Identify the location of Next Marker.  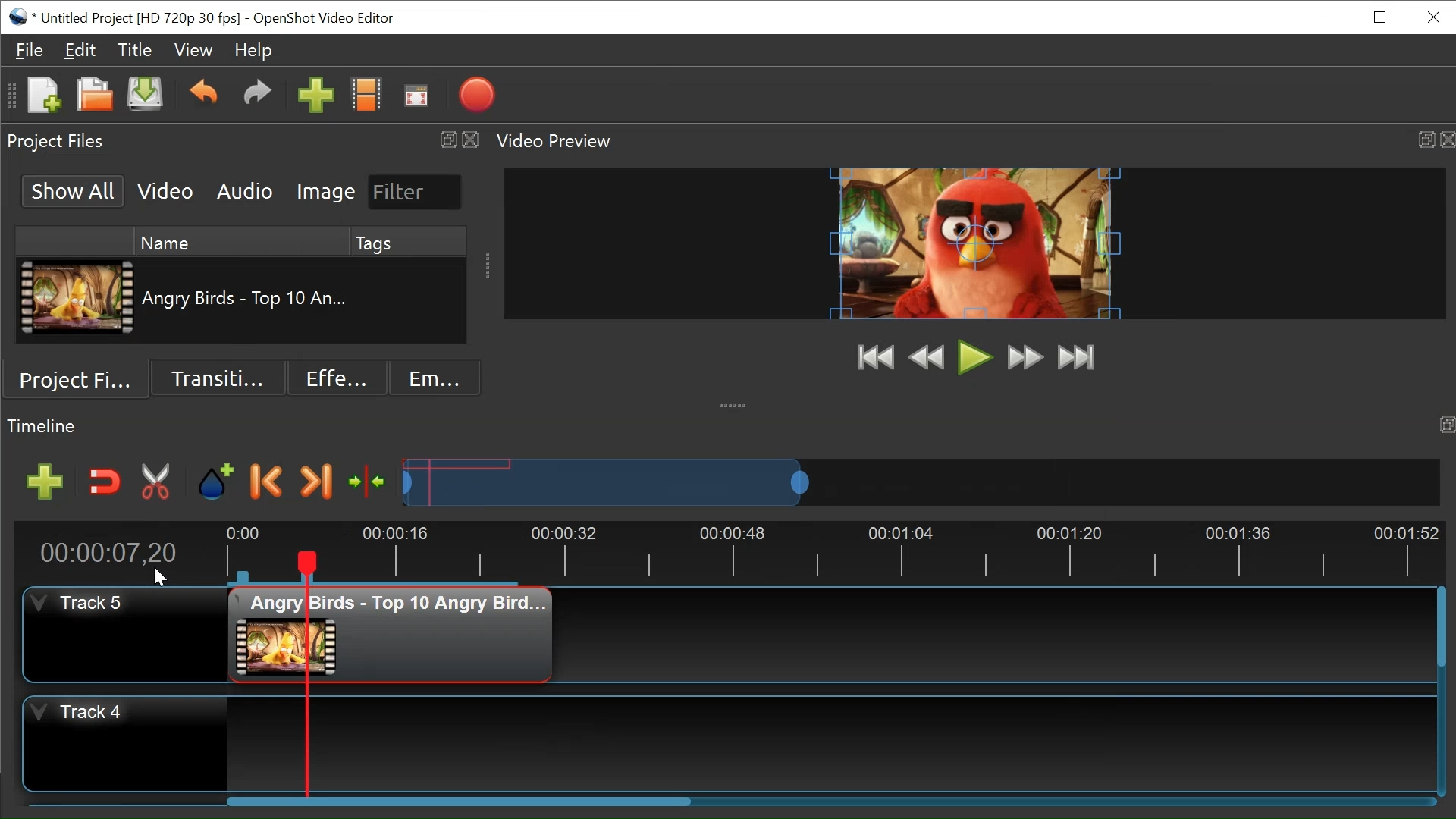
(316, 481).